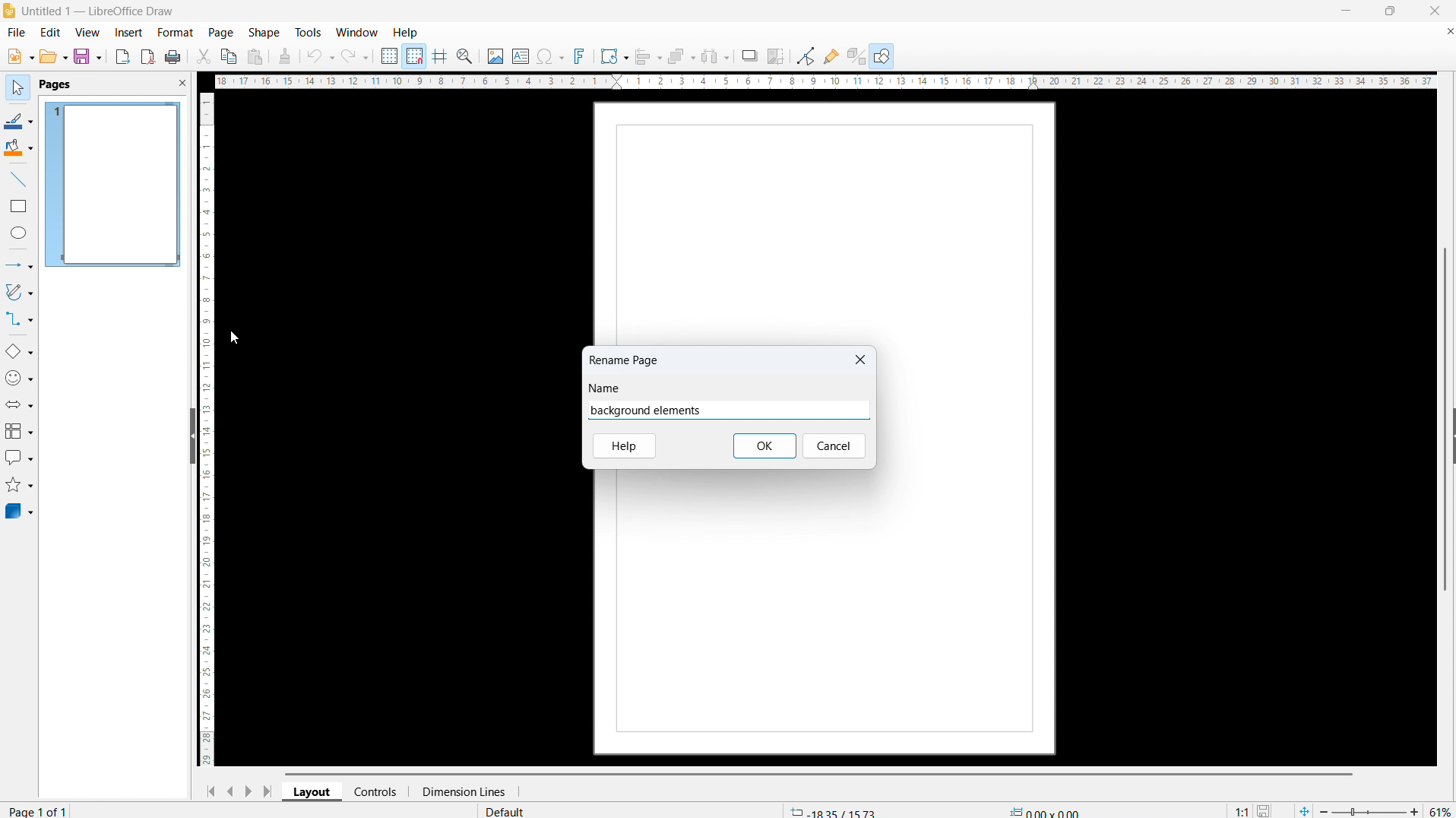 Image resolution: width=1456 pixels, height=818 pixels. What do you see at coordinates (552, 56) in the screenshot?
I see `Insert symbol ` at bounding box center [552, 56].